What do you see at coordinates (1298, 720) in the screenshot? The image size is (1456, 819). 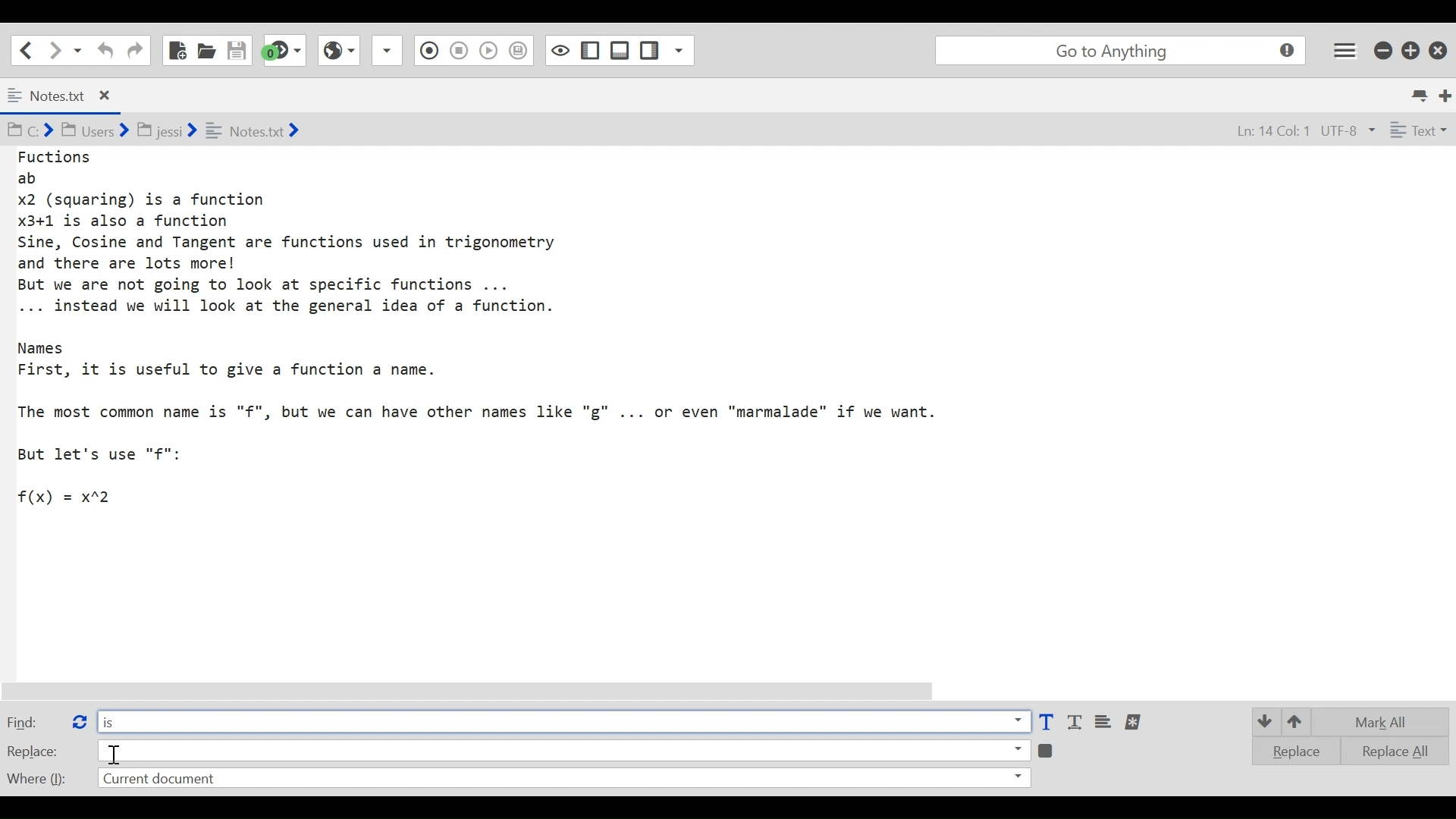 I see `Arrow up` at bounding box center [1298, 720].